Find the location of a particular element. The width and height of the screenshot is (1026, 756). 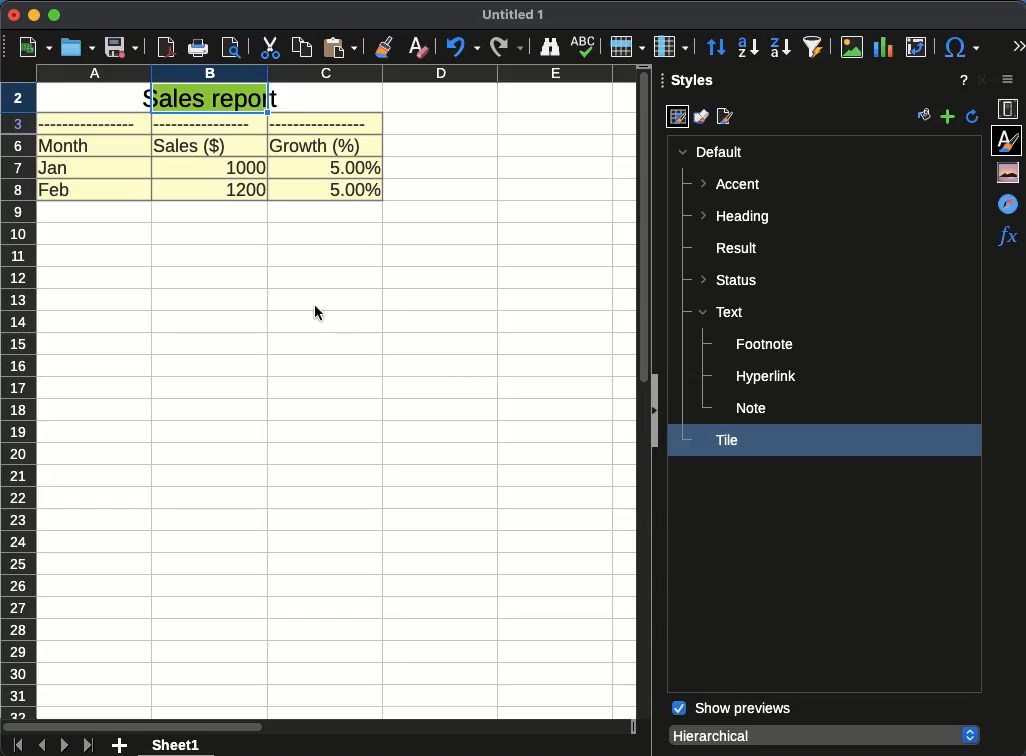

column is located at coordinates (338, 75).